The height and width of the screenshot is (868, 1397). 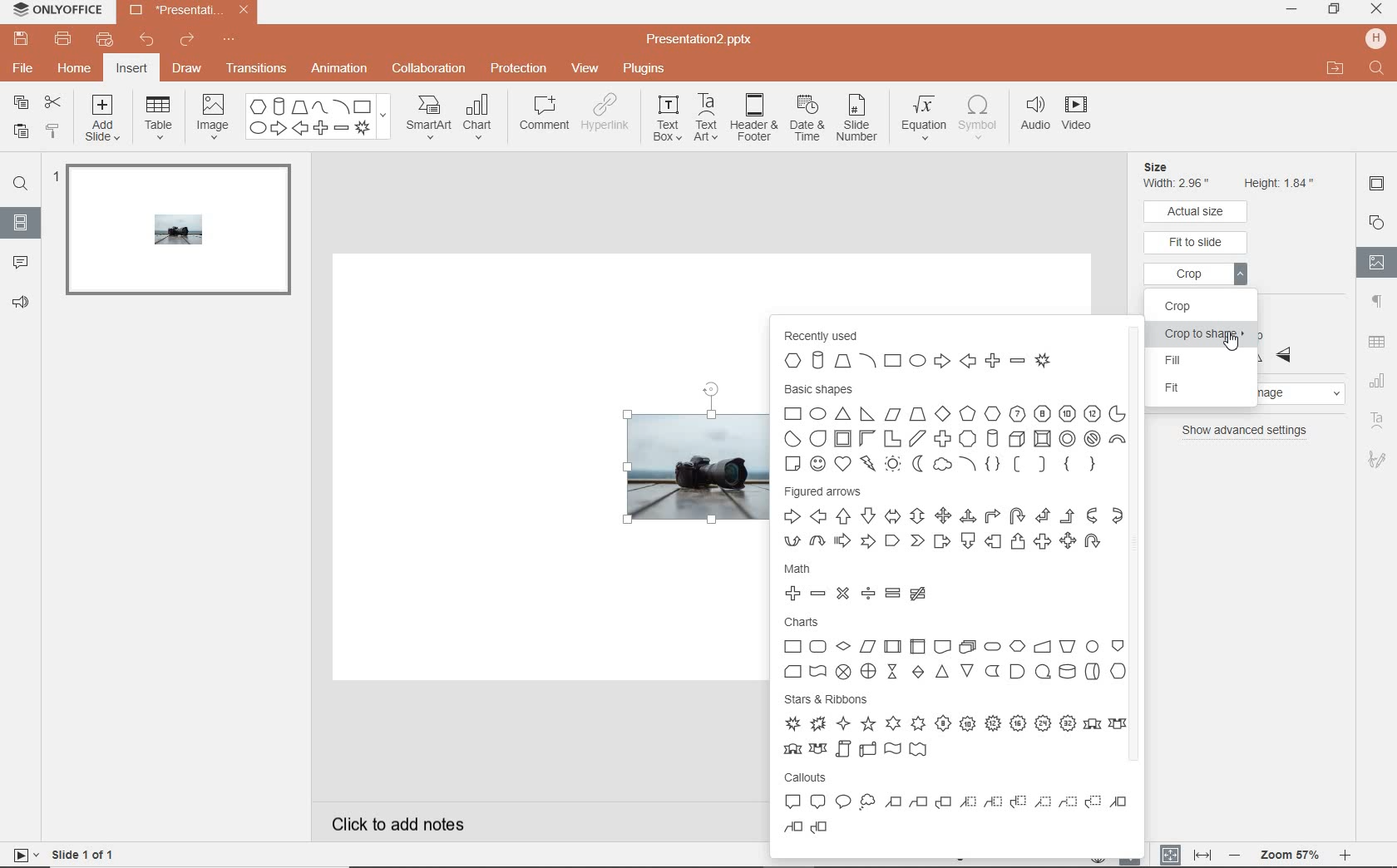 I want to click on Presentation2.pptx, so click(x=714, y=37).